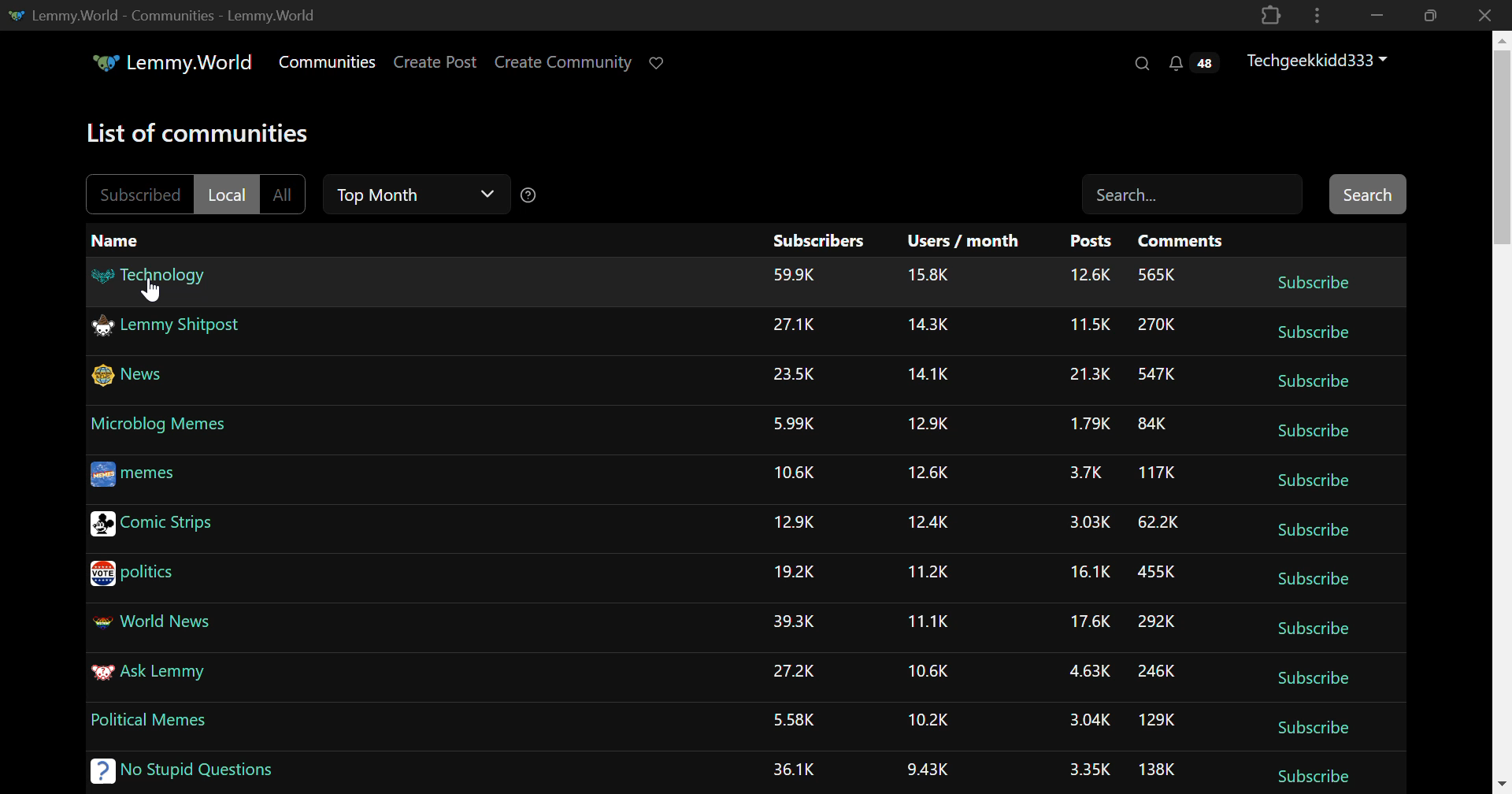 This screenshot has width=1512, height=794. What do you see at coordinates (1157, 376) in the screenshot?
I see `547K` at bounding box center [1157, 376].